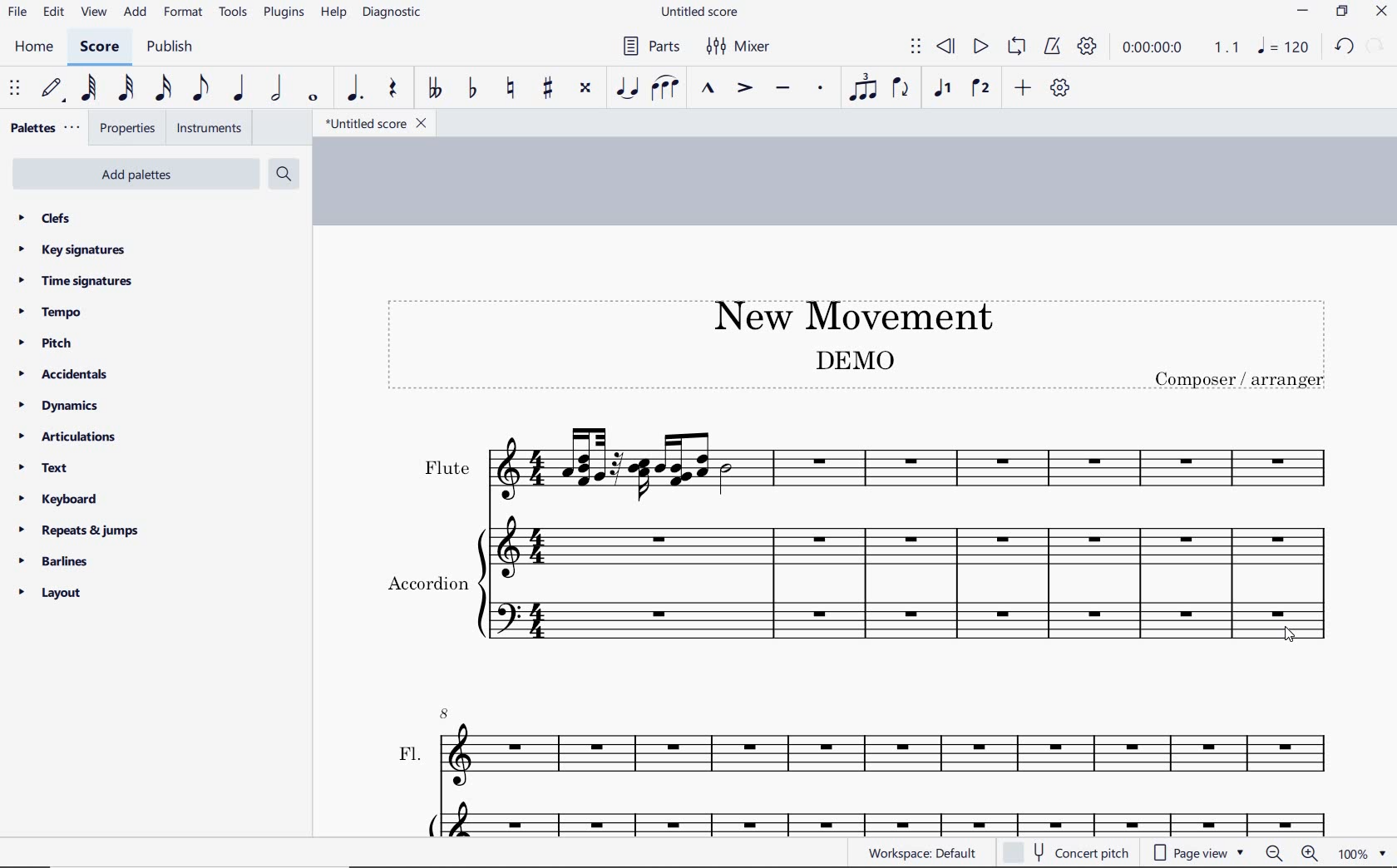 The image size is (1397, 868). What do you see at coordinates (411, 754) in the screenshot?
I see `text` at bounding box center [411, 754].